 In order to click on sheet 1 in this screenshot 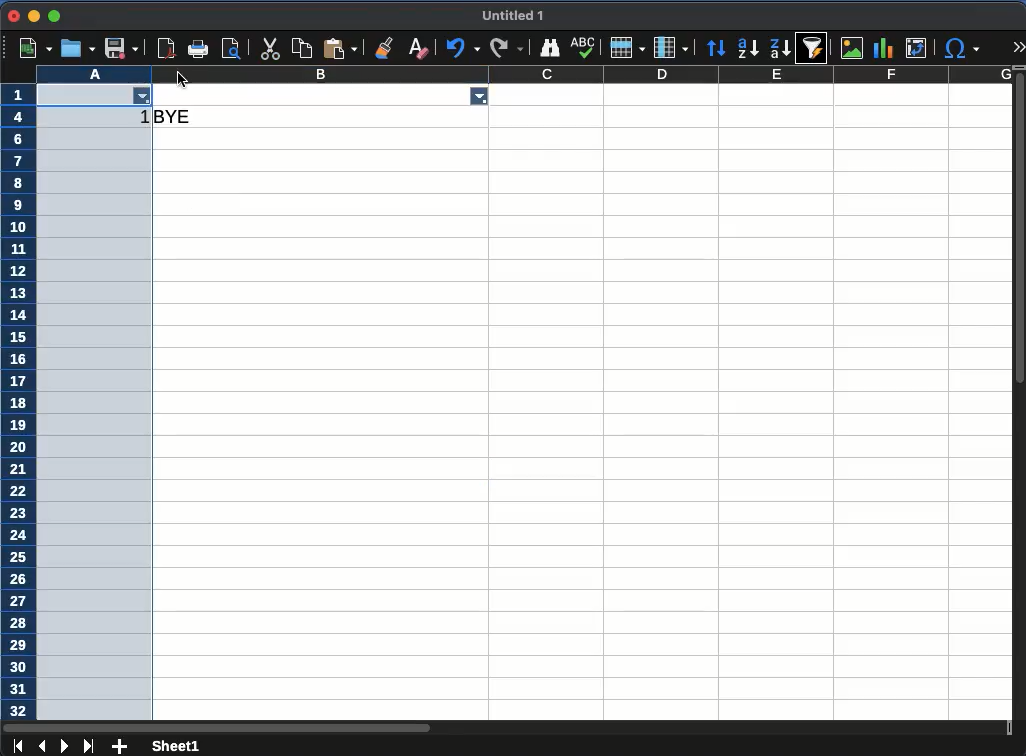, I will do `click(176, 745)`.